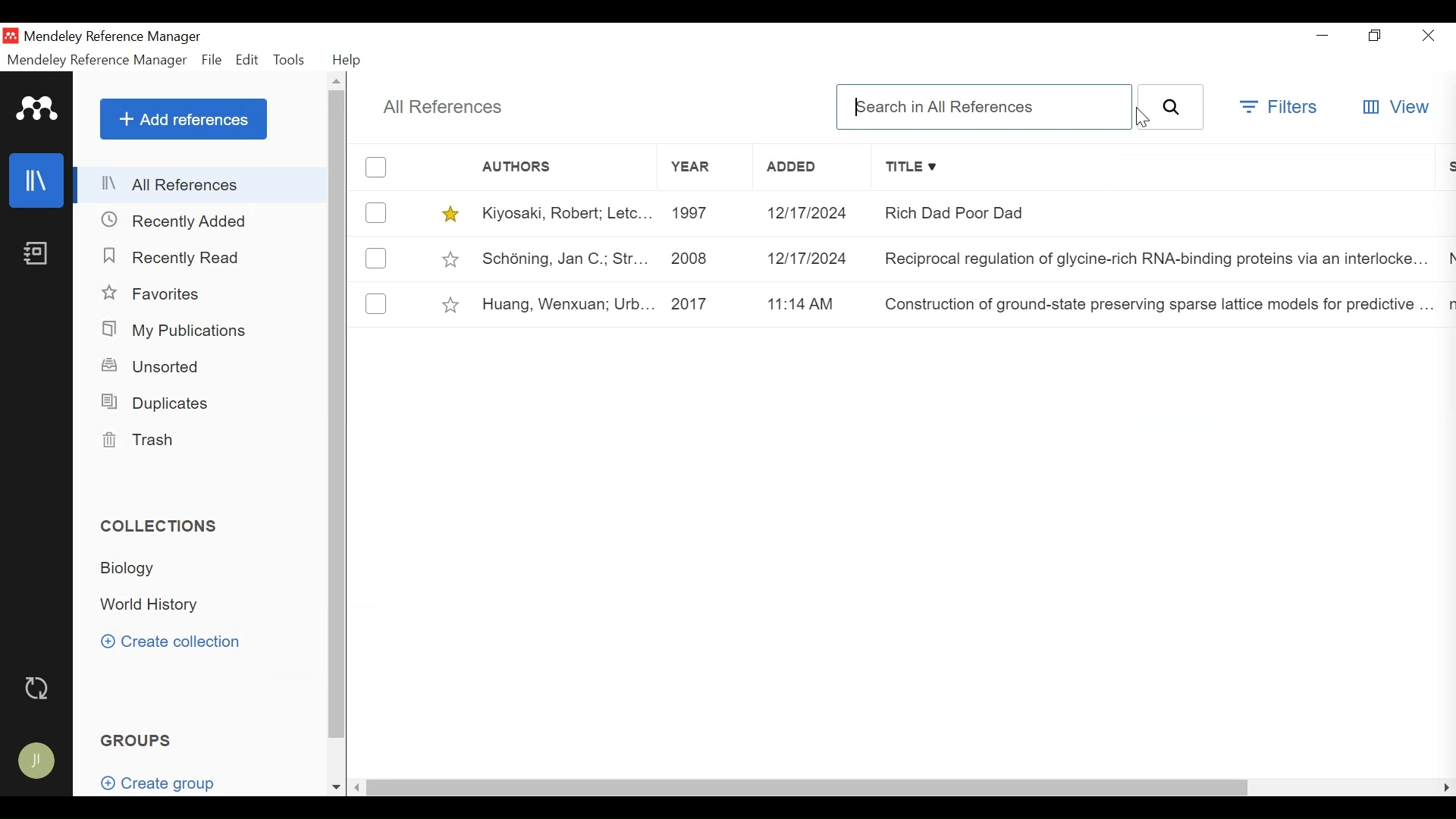  Describe the element at coordinates (1427, 35) in the screenshot. I see `Close` at that location.